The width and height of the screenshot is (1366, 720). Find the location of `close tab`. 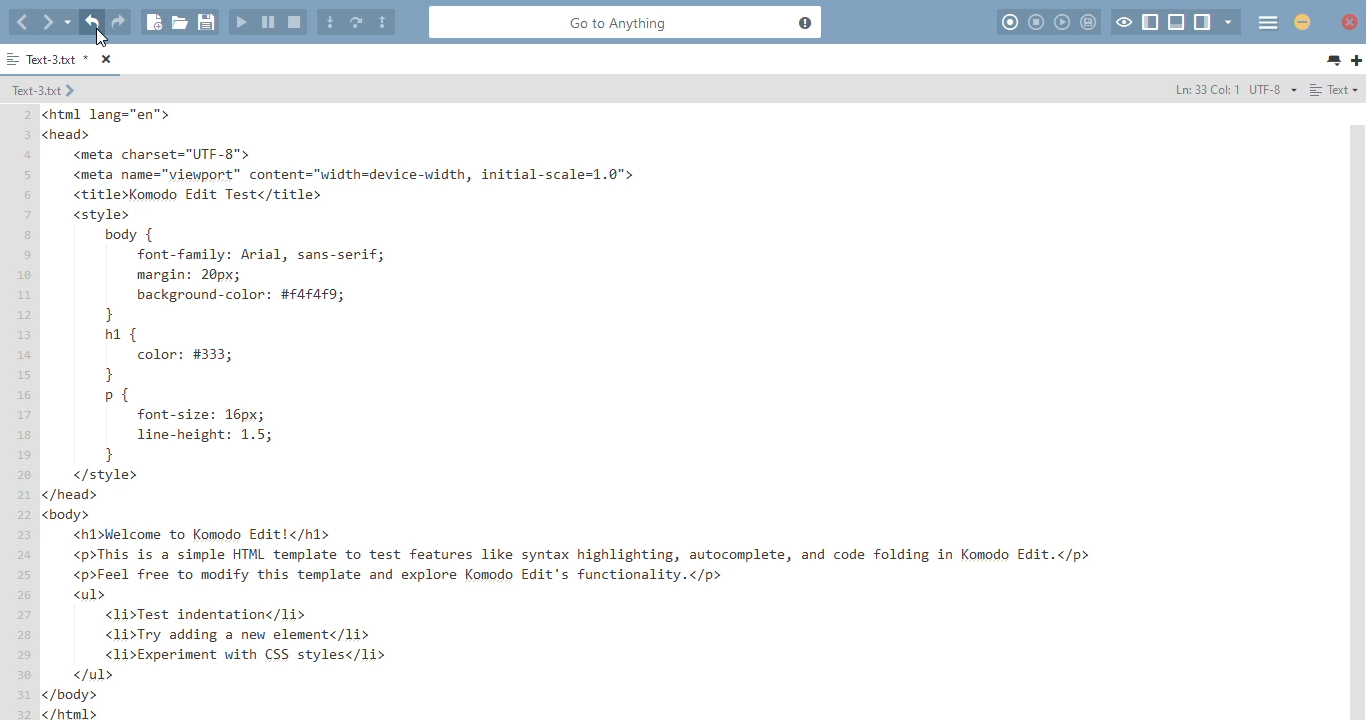

close tab is located at coordinates (107, 60).